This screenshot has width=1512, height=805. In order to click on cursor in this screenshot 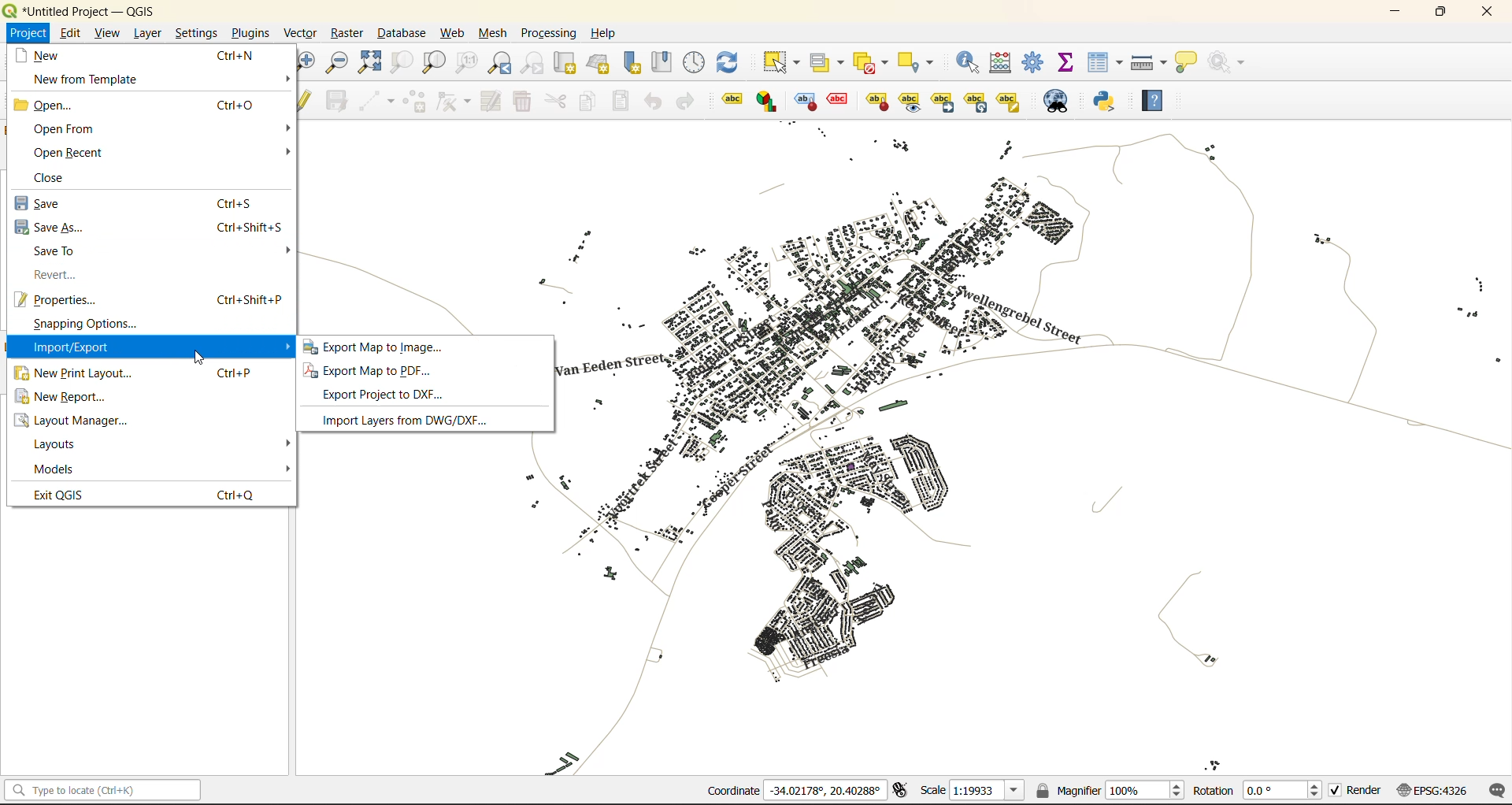, I will do `click(199, 357)`.